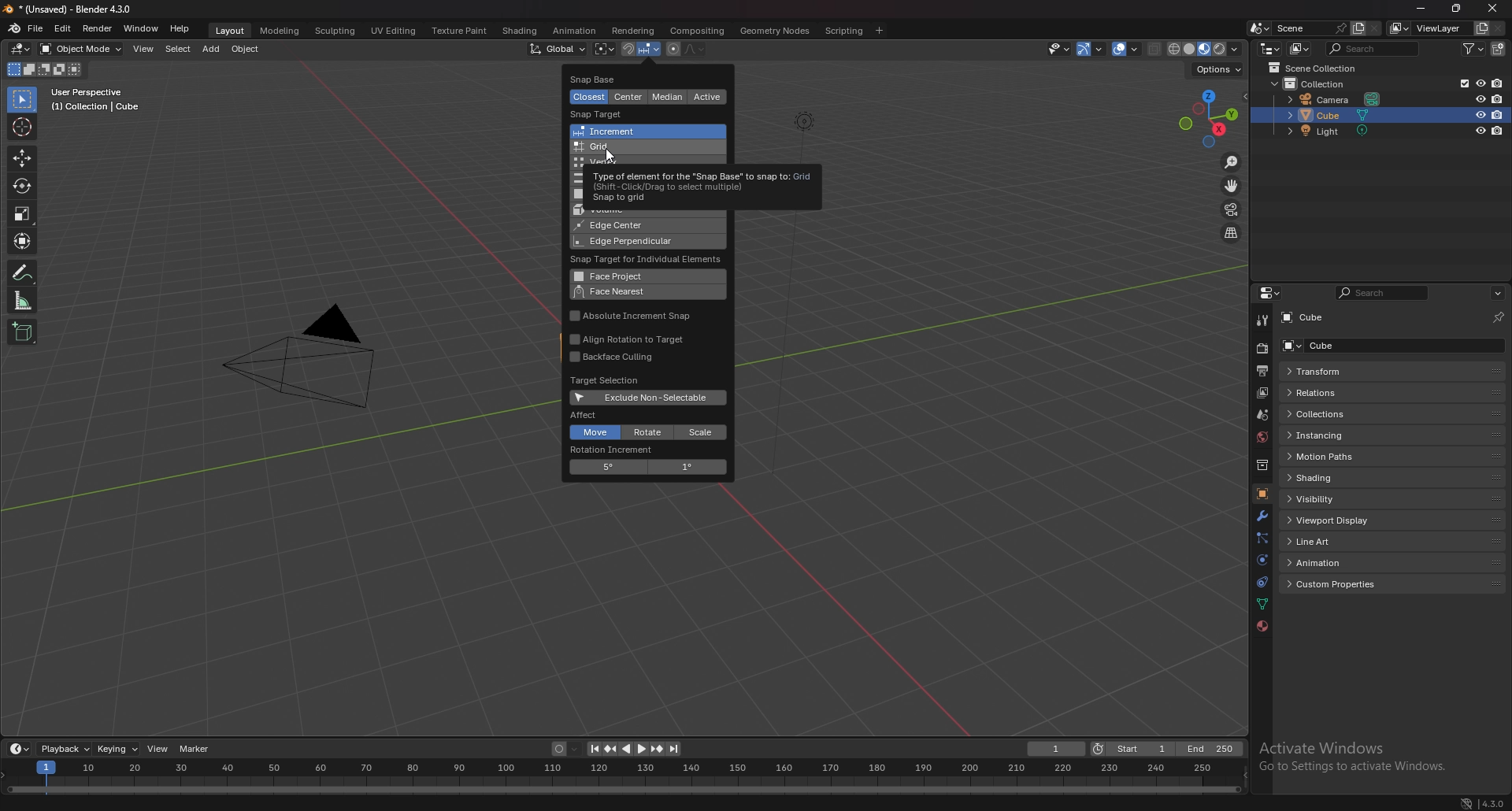 This screenshot has width=1512, height=811. I want to click on help, so click(181, 28).